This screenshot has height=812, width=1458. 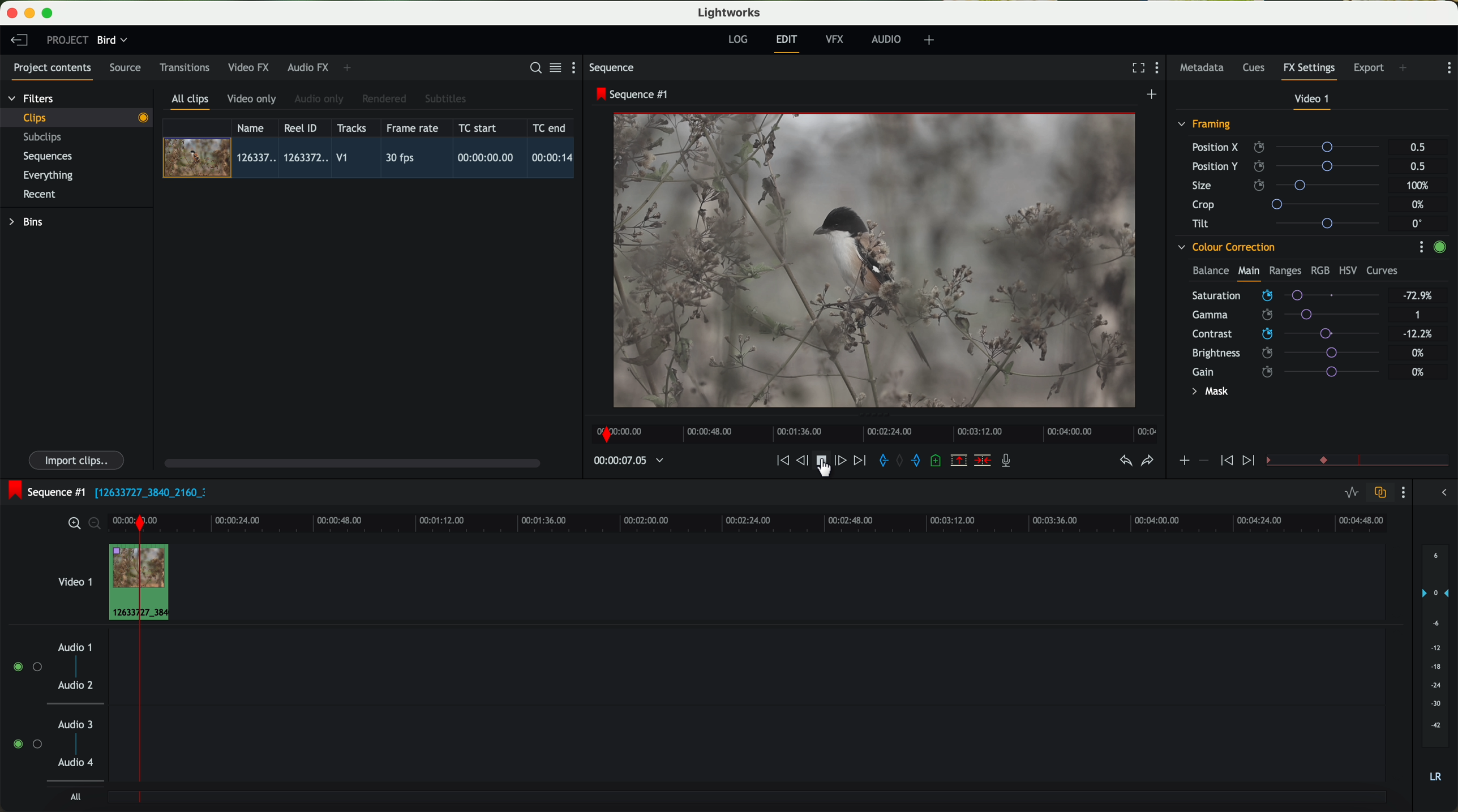 I want to click on sequence #1, so click(x=633, y=94).